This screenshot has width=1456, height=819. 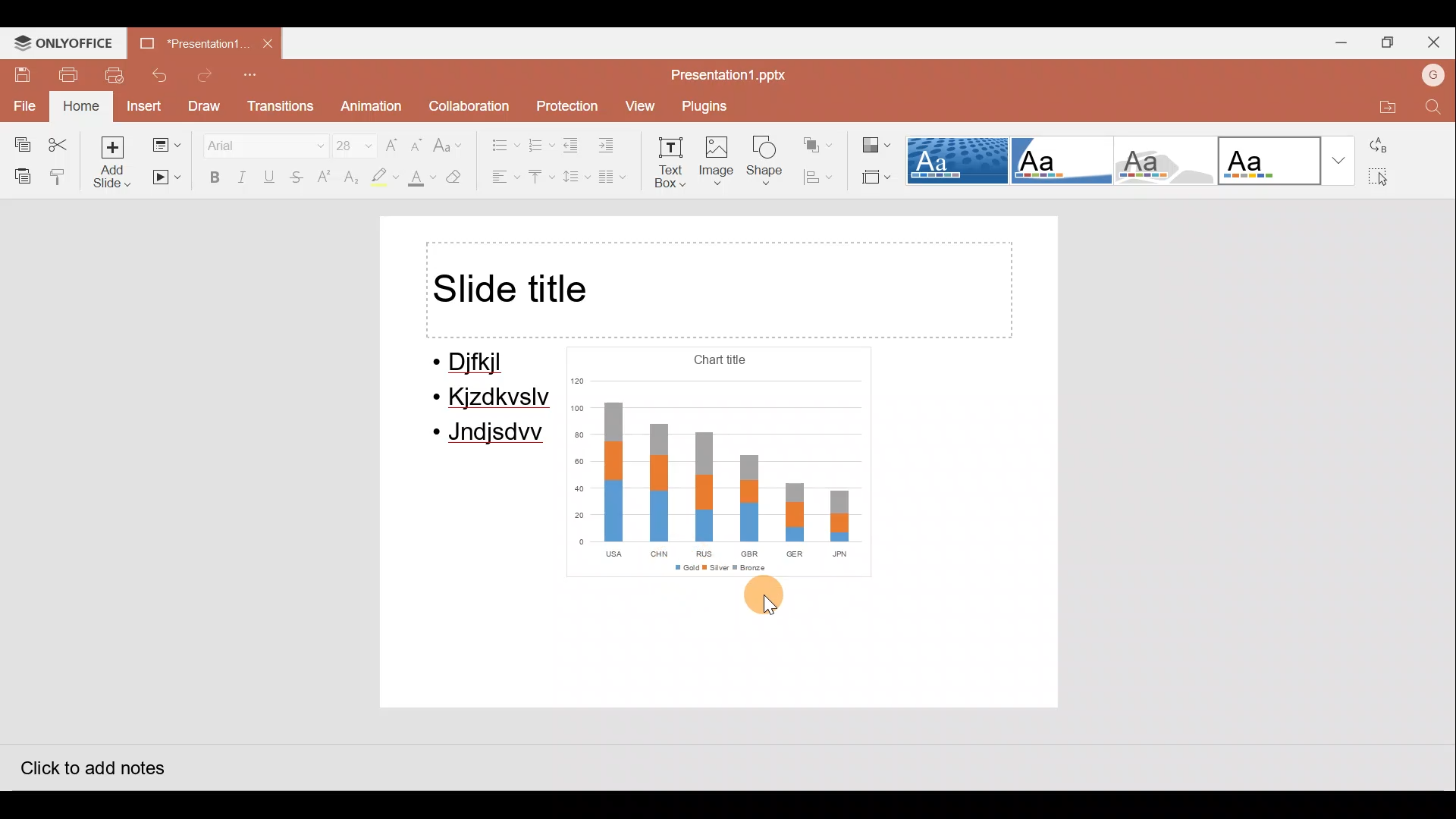 I want to click on Increase indent, so click(x=616, y=146).